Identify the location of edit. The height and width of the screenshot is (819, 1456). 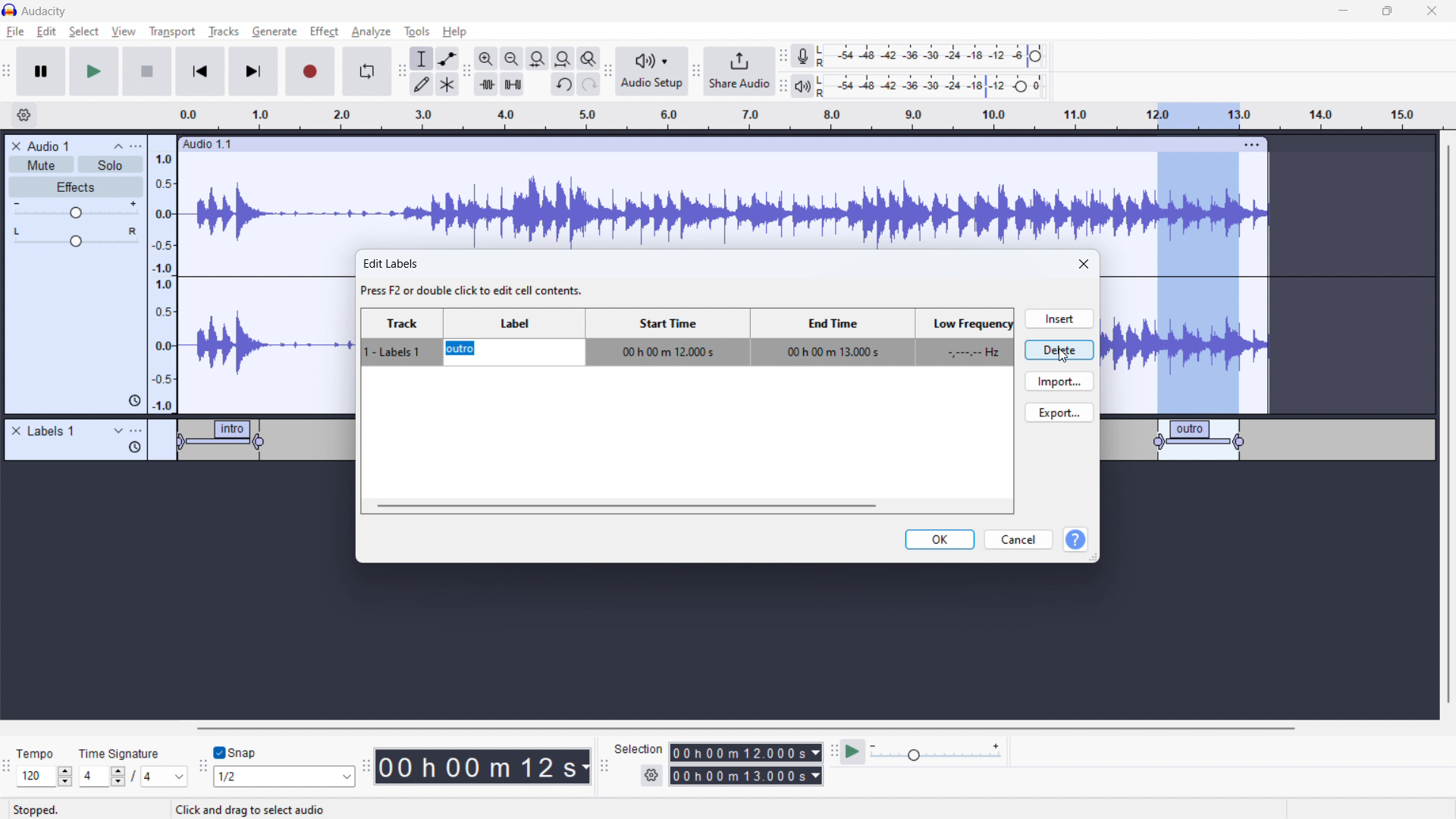
(46, 32).